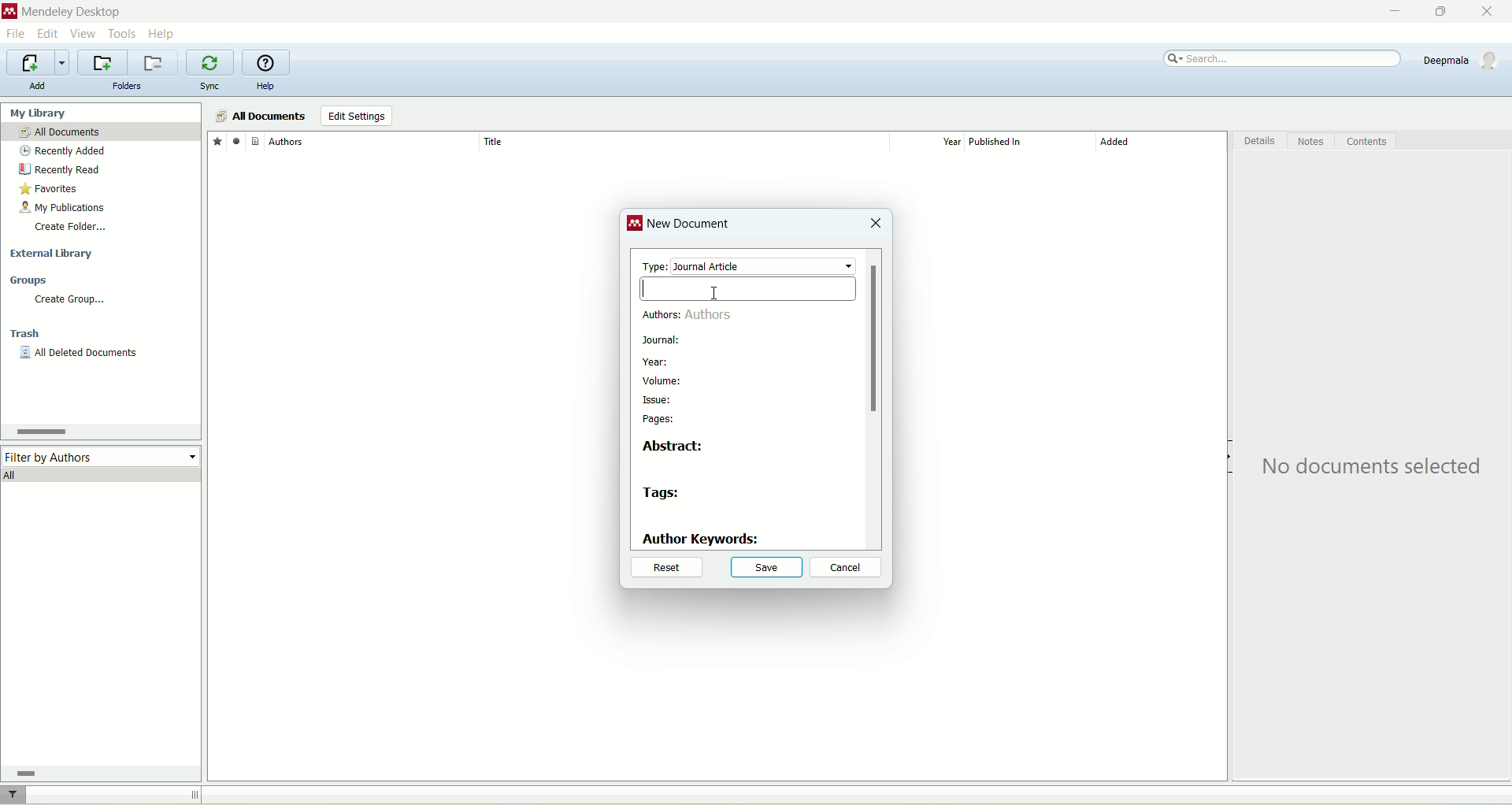 This screenshot has height=805, width=1512. What do you see at coordinates (767, 566) in the screenshot?
I see `save` at bounding box center [767, 566].